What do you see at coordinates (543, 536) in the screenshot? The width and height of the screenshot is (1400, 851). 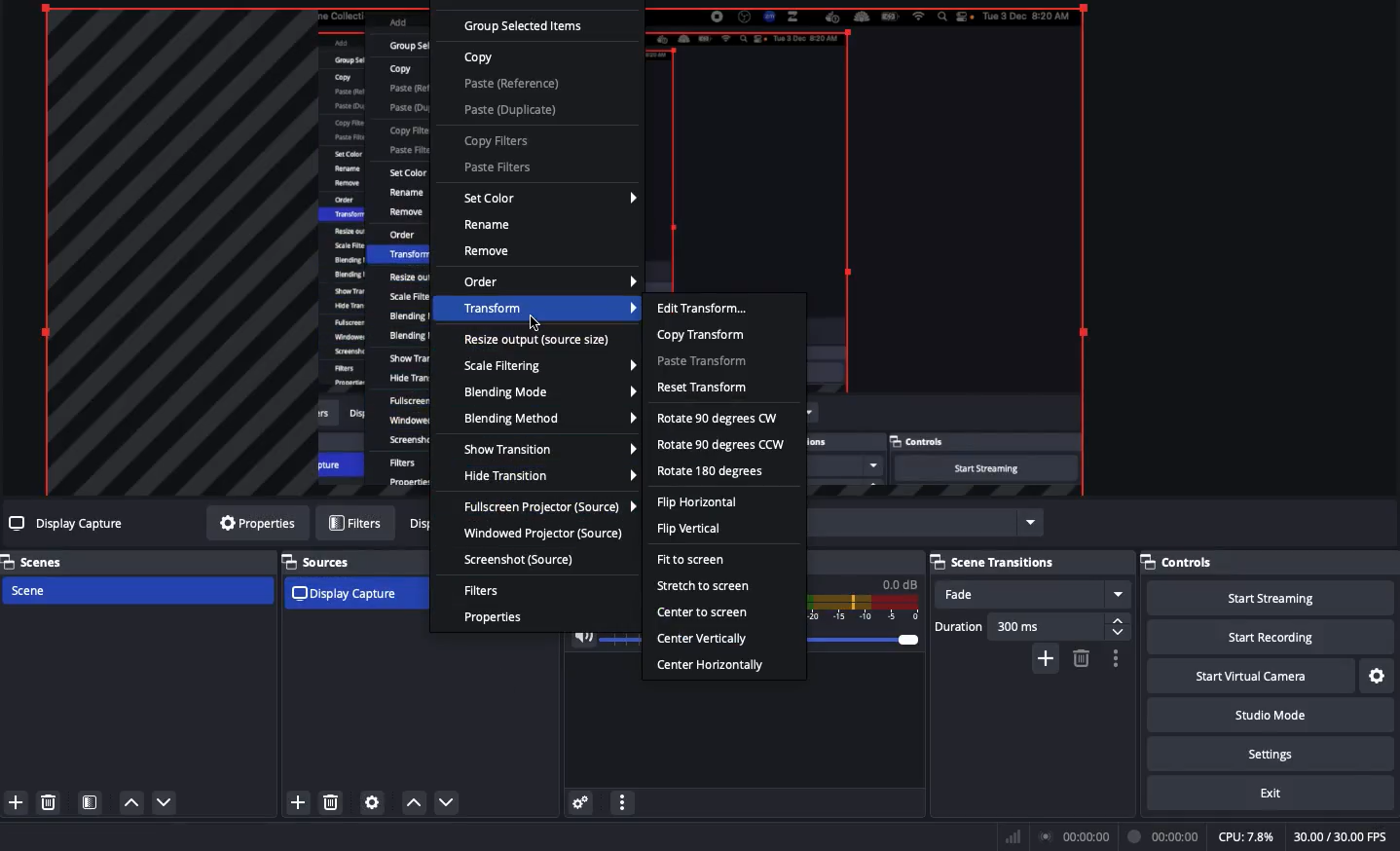 I see `Windowed projector` at bounding box center [543, 536].